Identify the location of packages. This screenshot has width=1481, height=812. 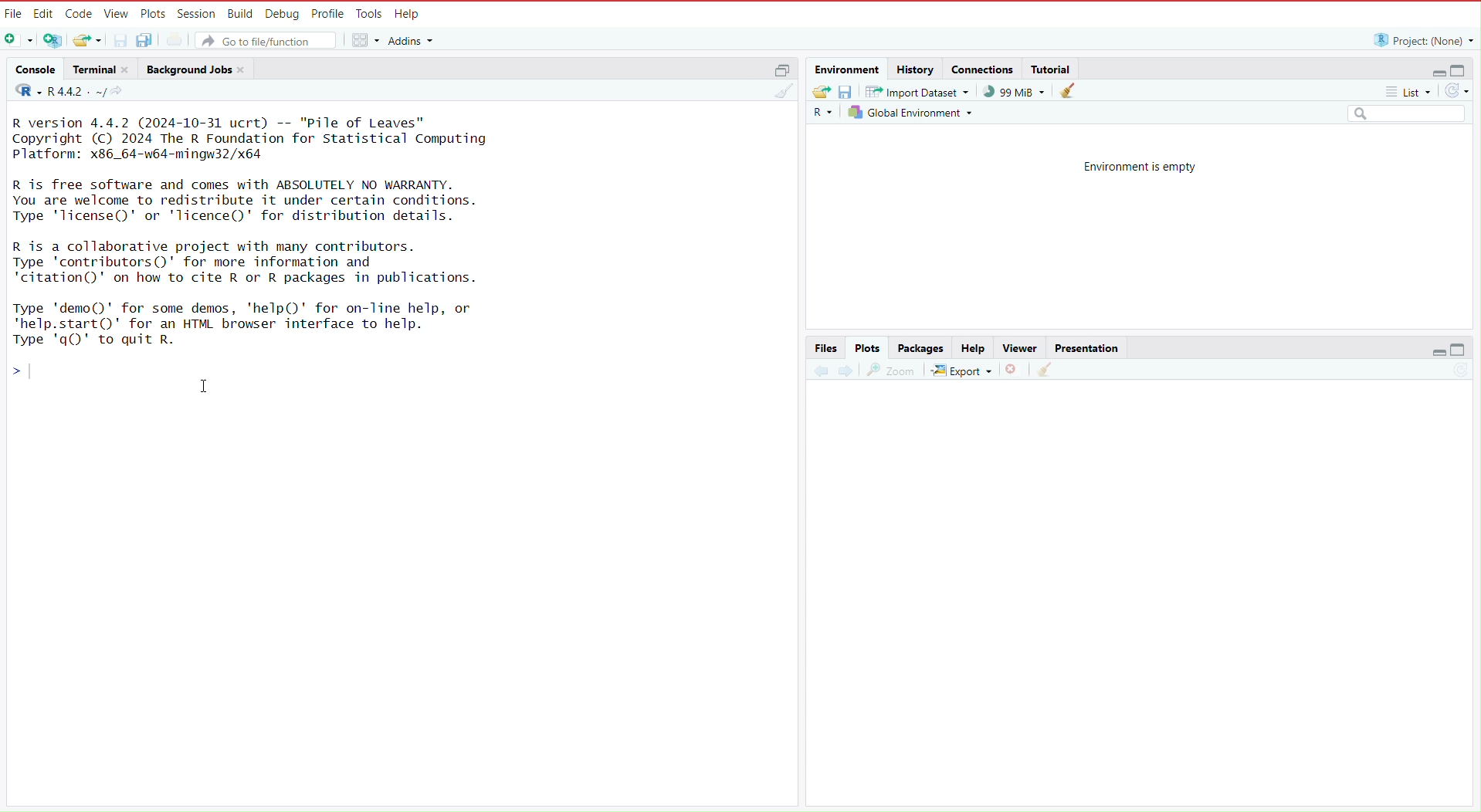
(920, 347).